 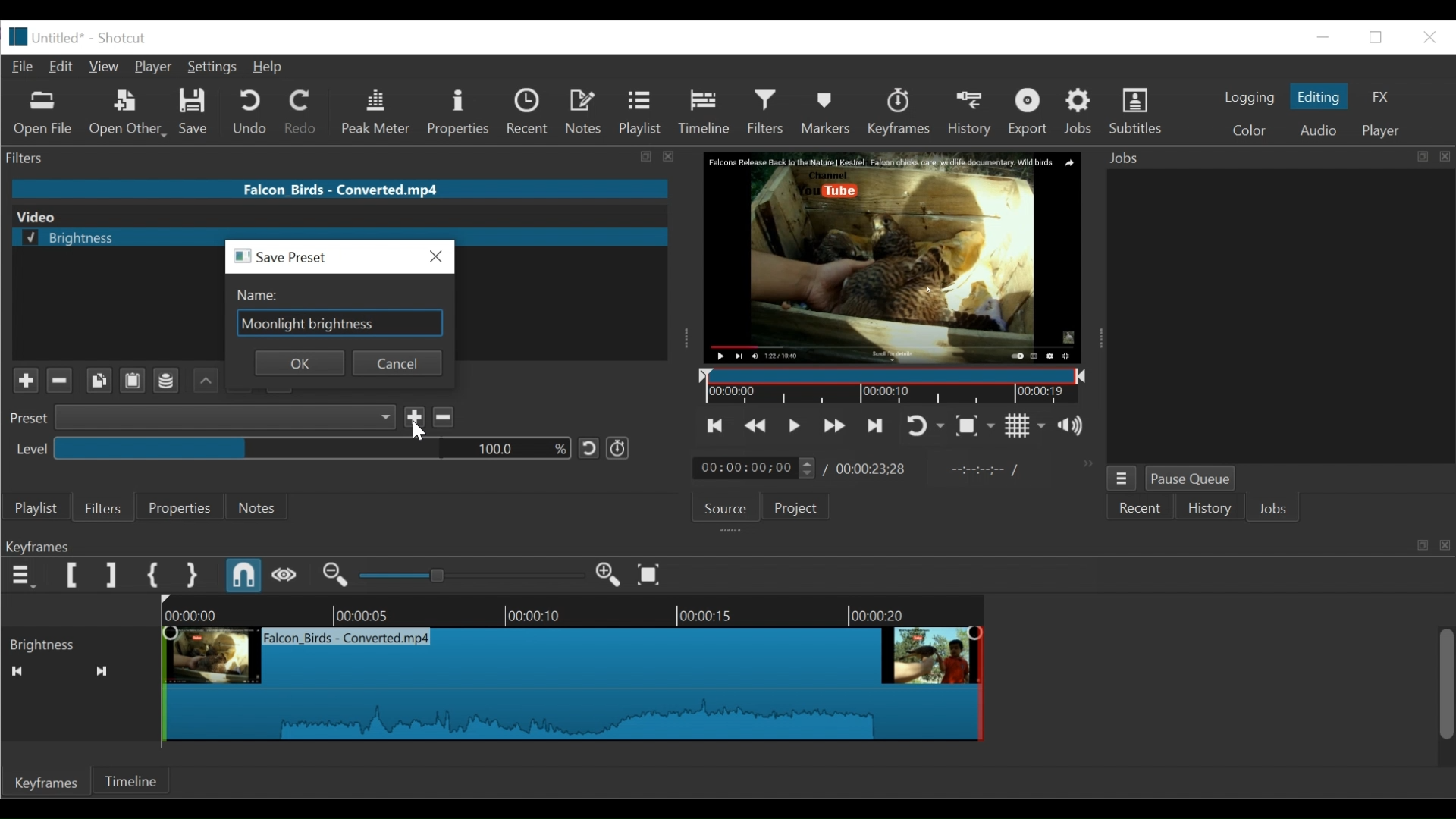 I want to click on Recent, so click(x=529, y=112).